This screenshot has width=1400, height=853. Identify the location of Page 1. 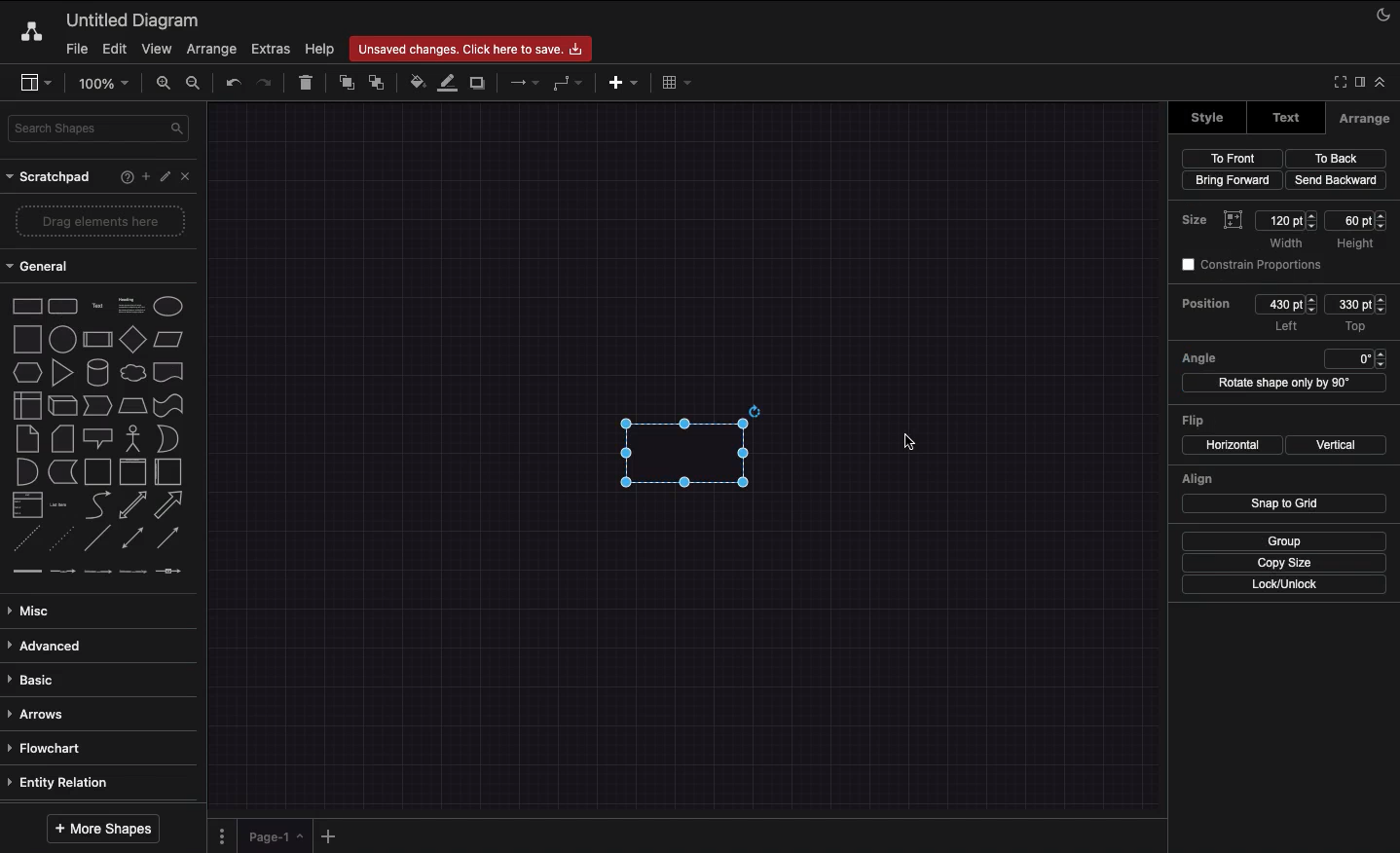
(276, 837).